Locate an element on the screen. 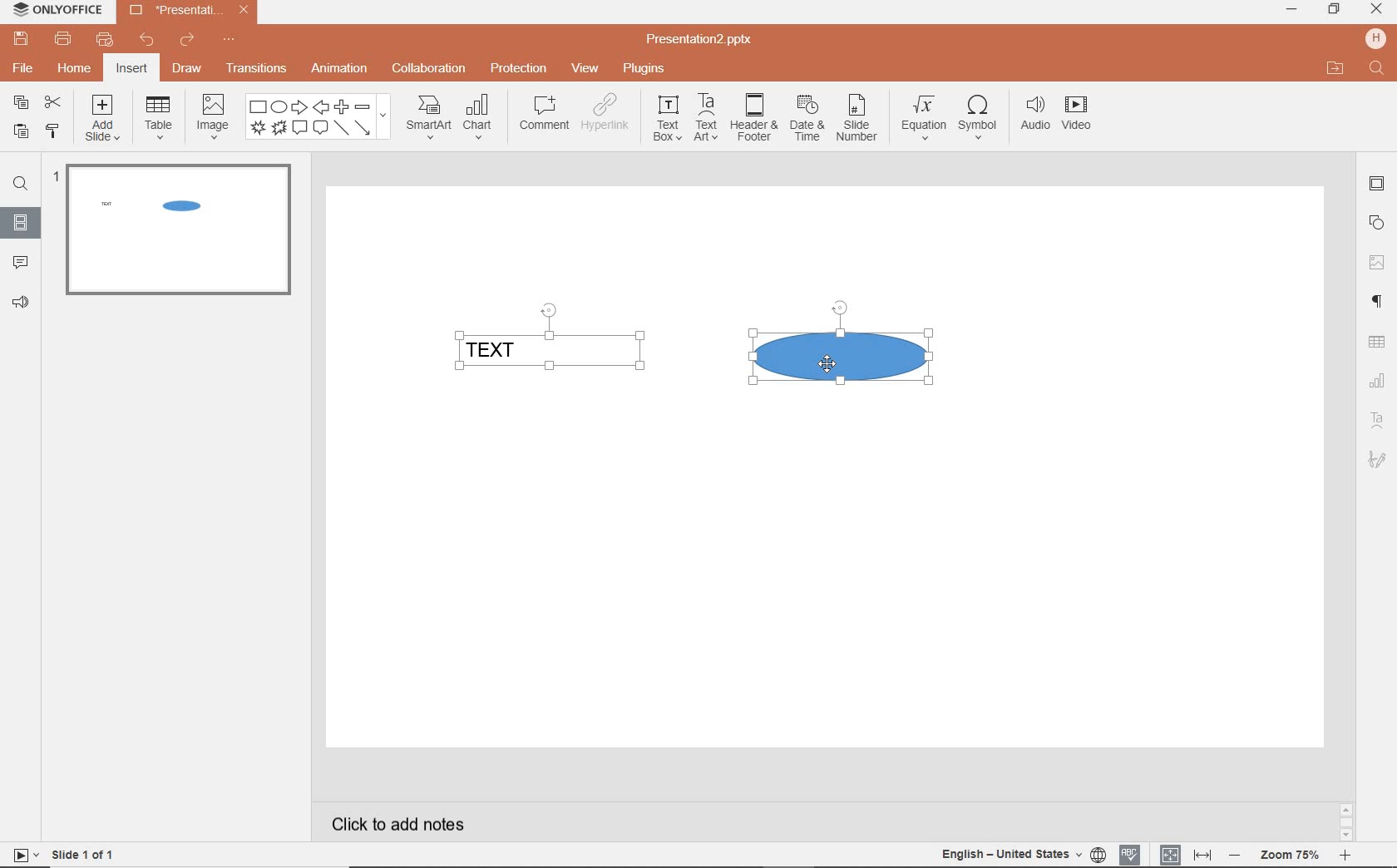 This screenshot has height=868, width=1397. redo is located at coordinates (186, 42).